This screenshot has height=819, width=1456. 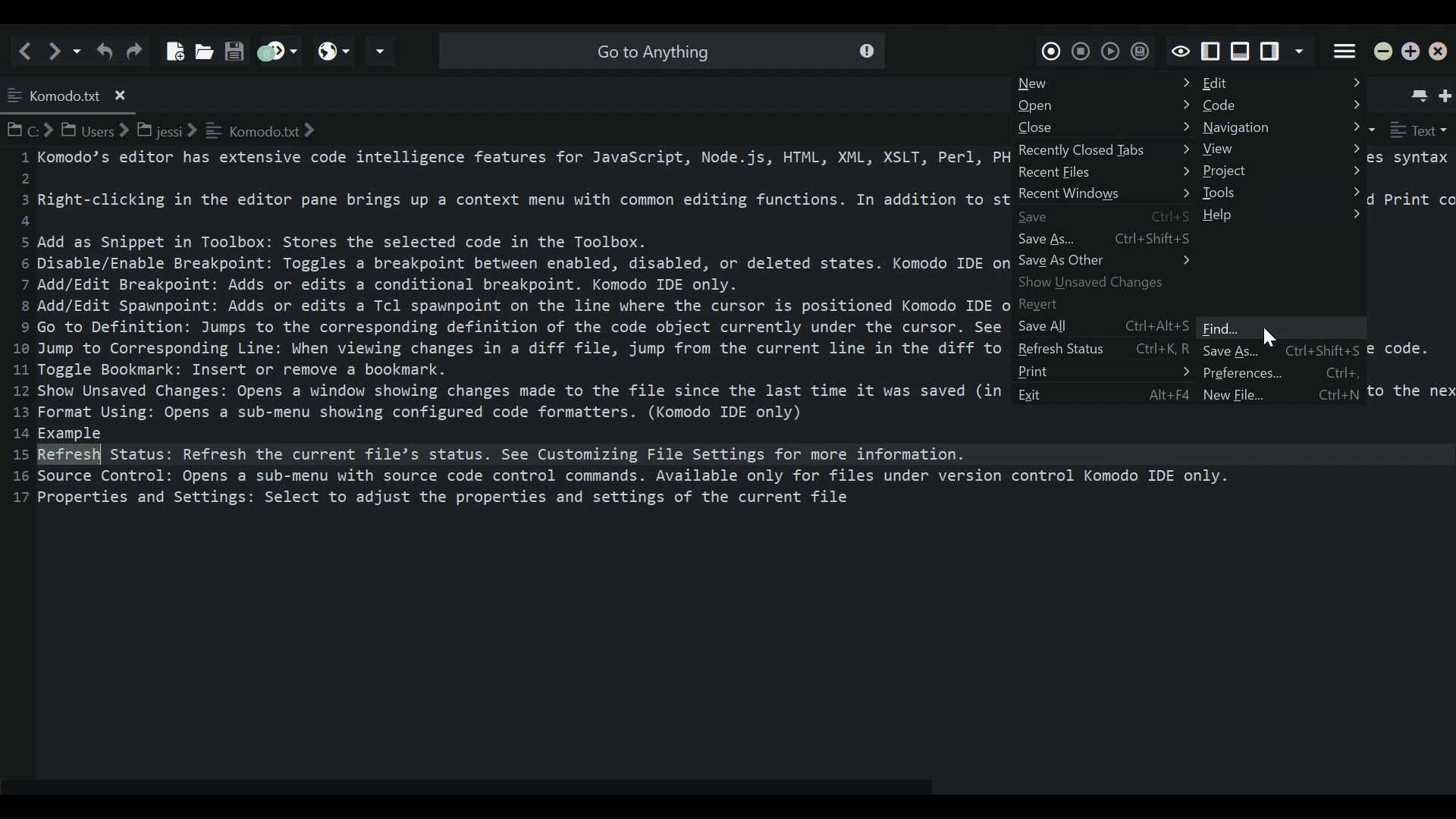 What do you see at coordinates (1100, 326) in the screenshot?
I see `Save All` at bounding box center [1100, 326].